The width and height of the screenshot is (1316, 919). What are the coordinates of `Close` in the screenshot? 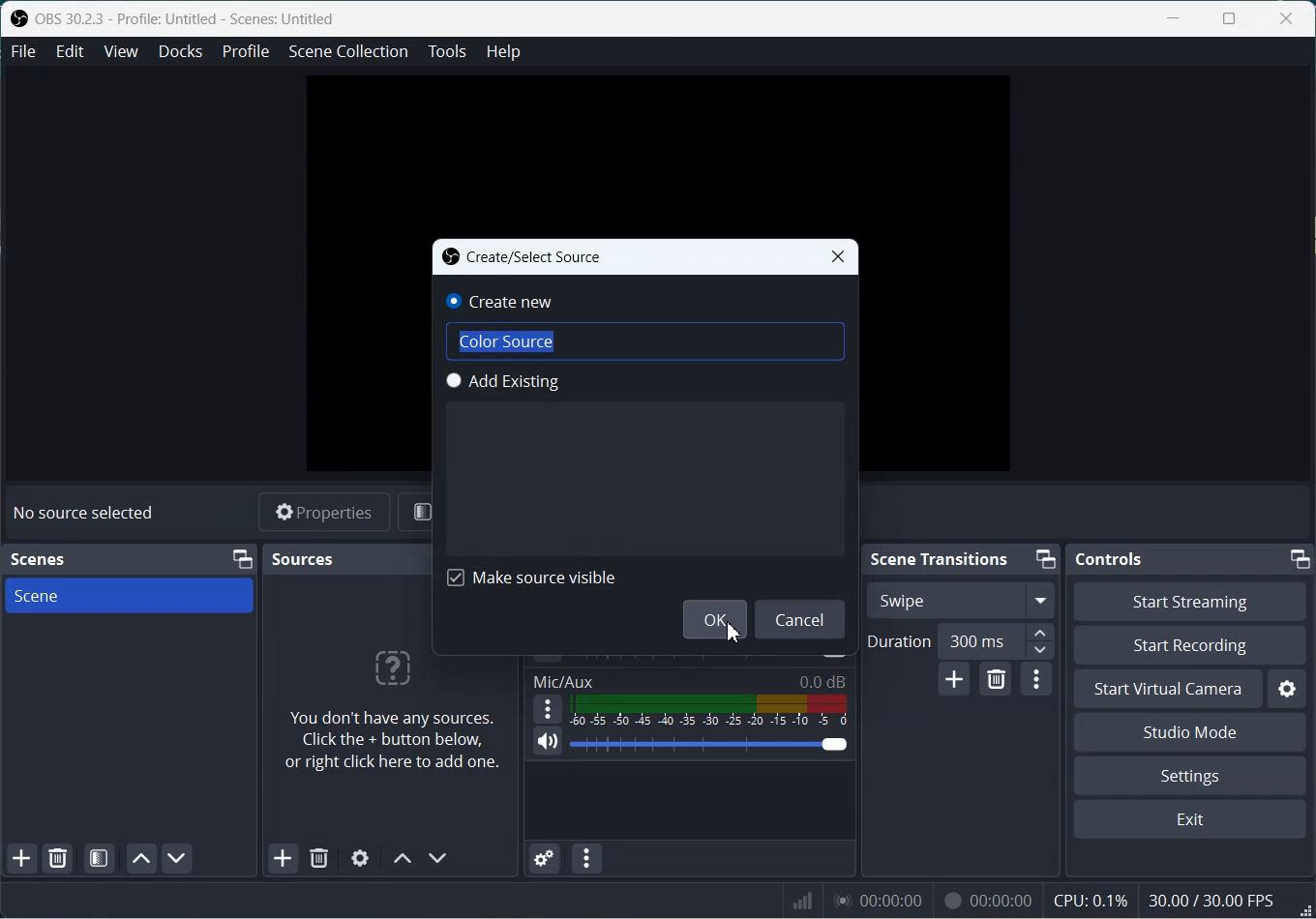 It's located at (839, 257).